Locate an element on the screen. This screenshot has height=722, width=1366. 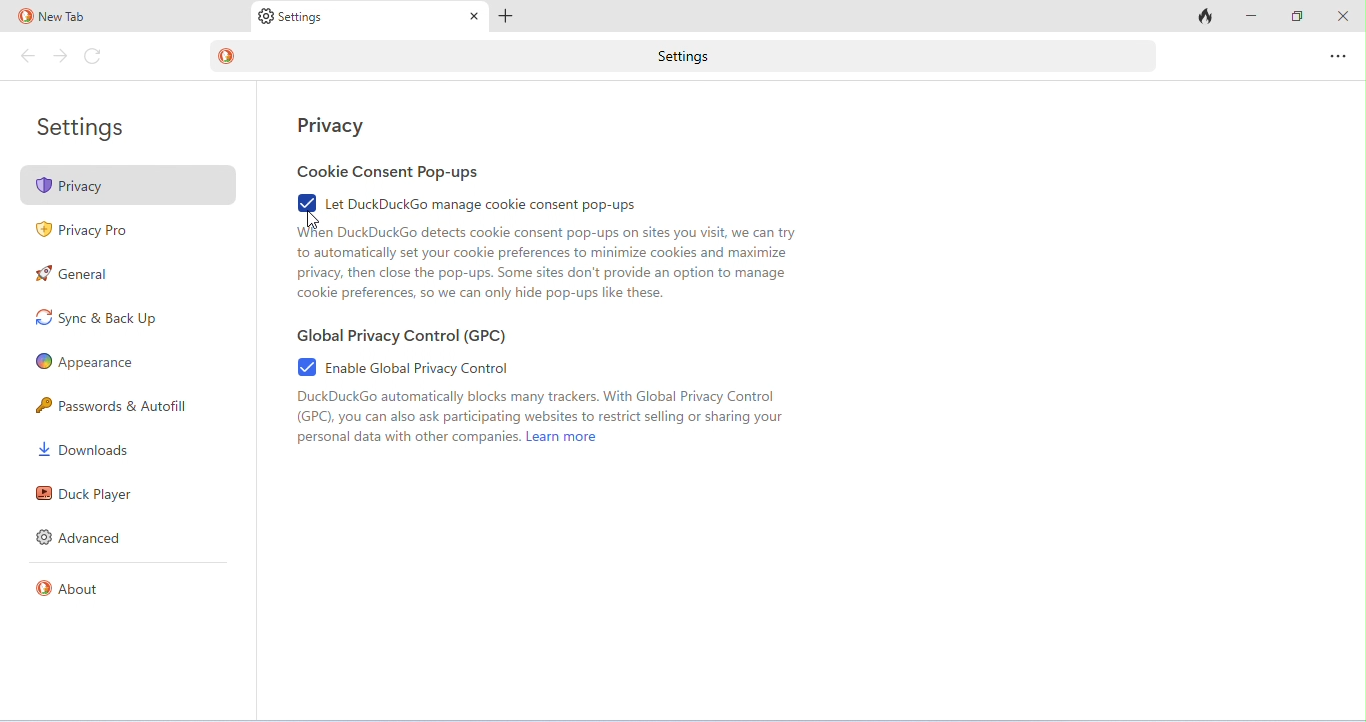
maximize is located at coordinates (1297, 16).